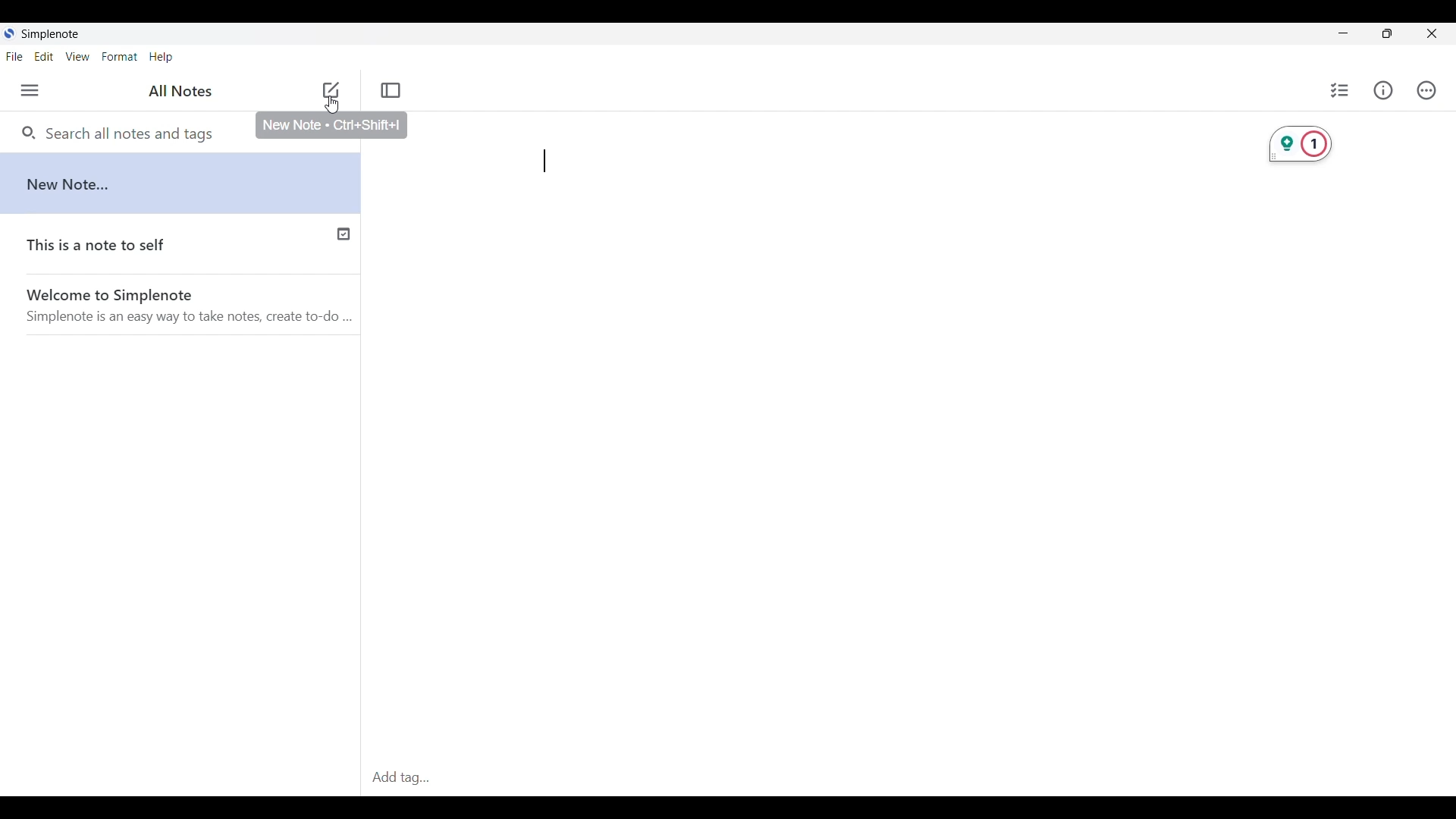 The width and height of the screenshot is (1456, 819). What do you see at coordinates (193, 304) in the screenshot?
I see `Welcome to Simplenote(Welcome note by software)` at bounding box center [193, 304].